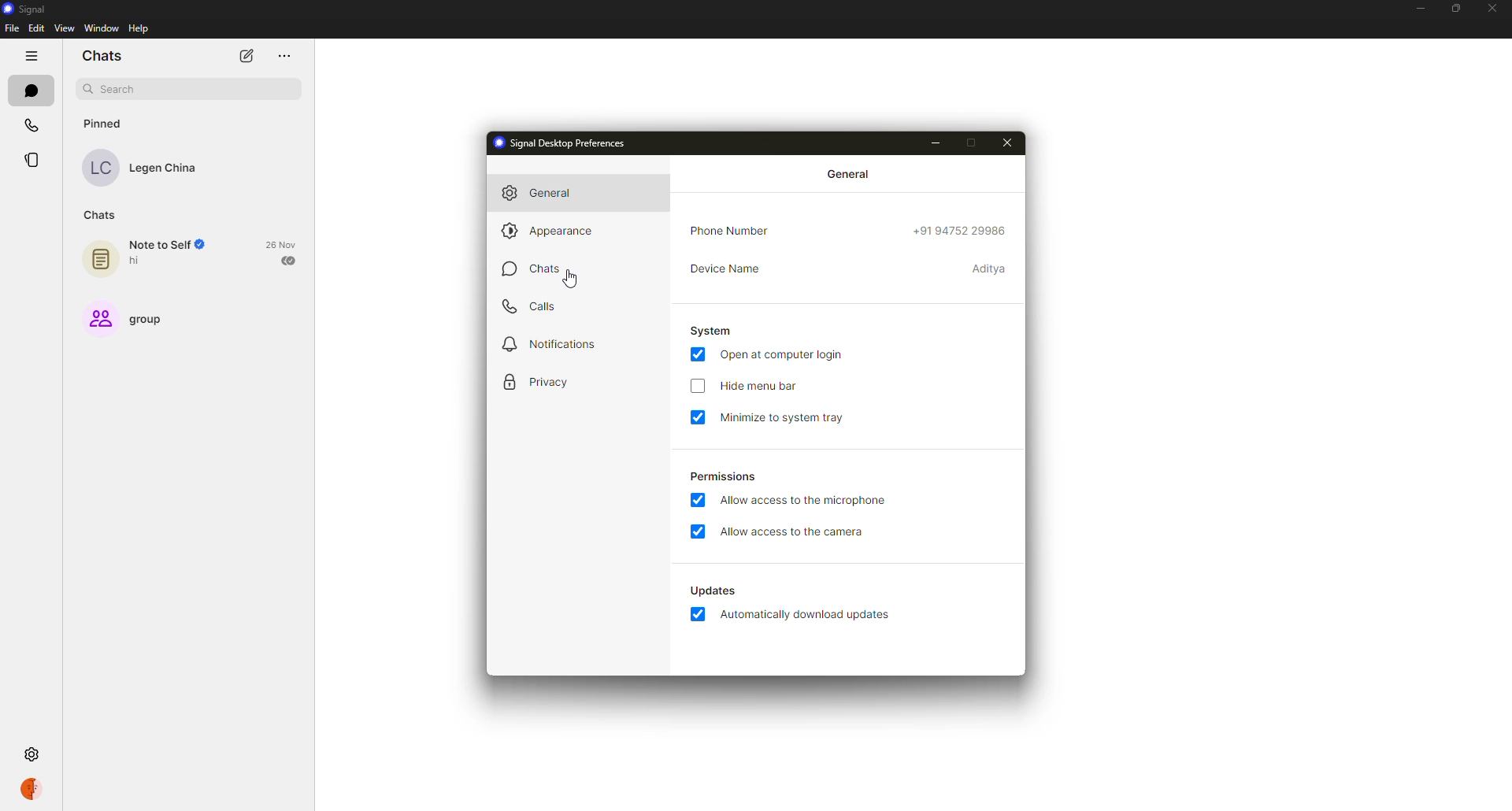 This screenshot has height=811, width=1512. I want to click on appearance, so click(547, 231).